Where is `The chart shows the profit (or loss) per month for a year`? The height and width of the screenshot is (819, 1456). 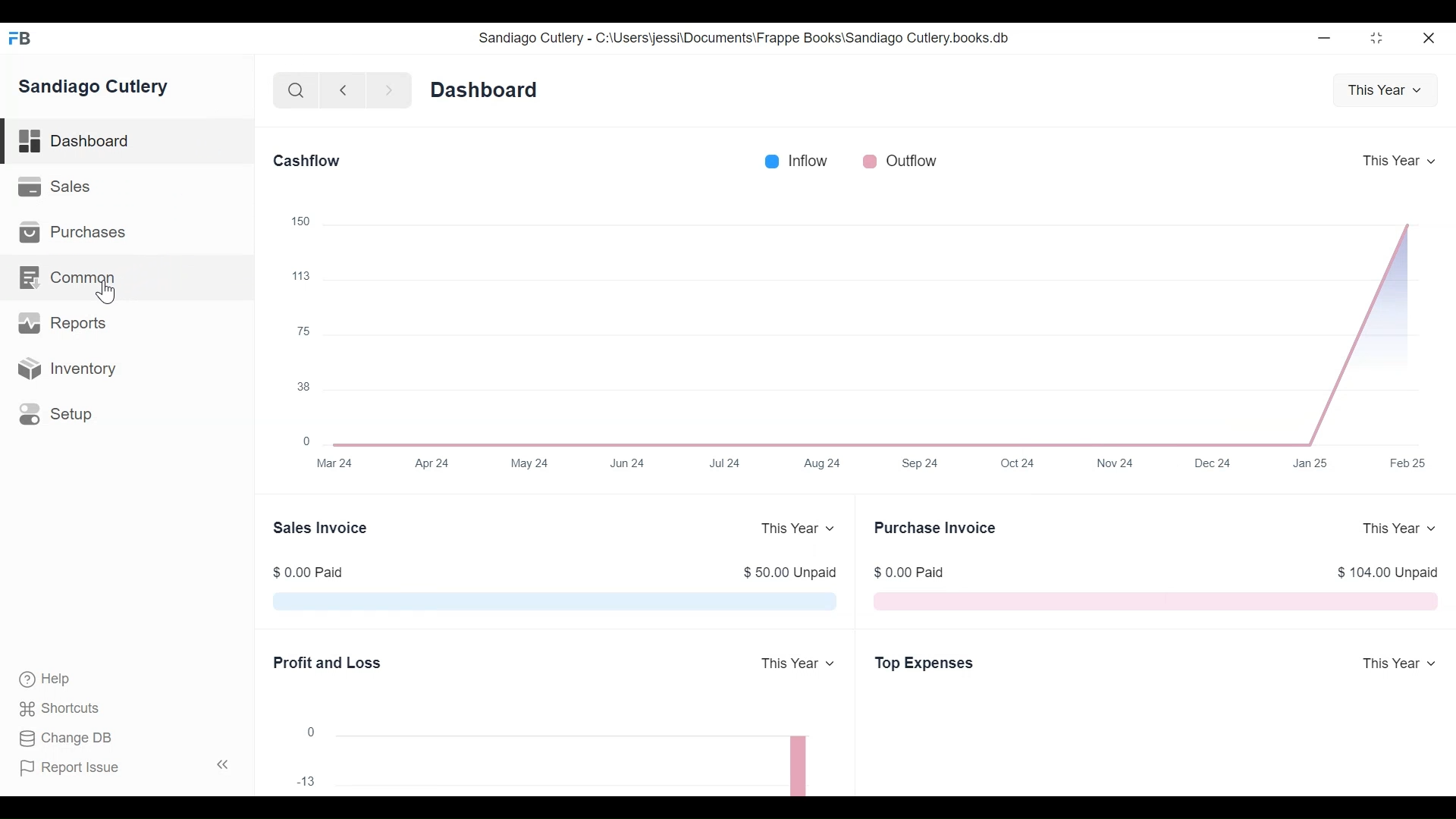 The chart shows the profit (or loss) per month for a year is located at coordinates (584, 757).